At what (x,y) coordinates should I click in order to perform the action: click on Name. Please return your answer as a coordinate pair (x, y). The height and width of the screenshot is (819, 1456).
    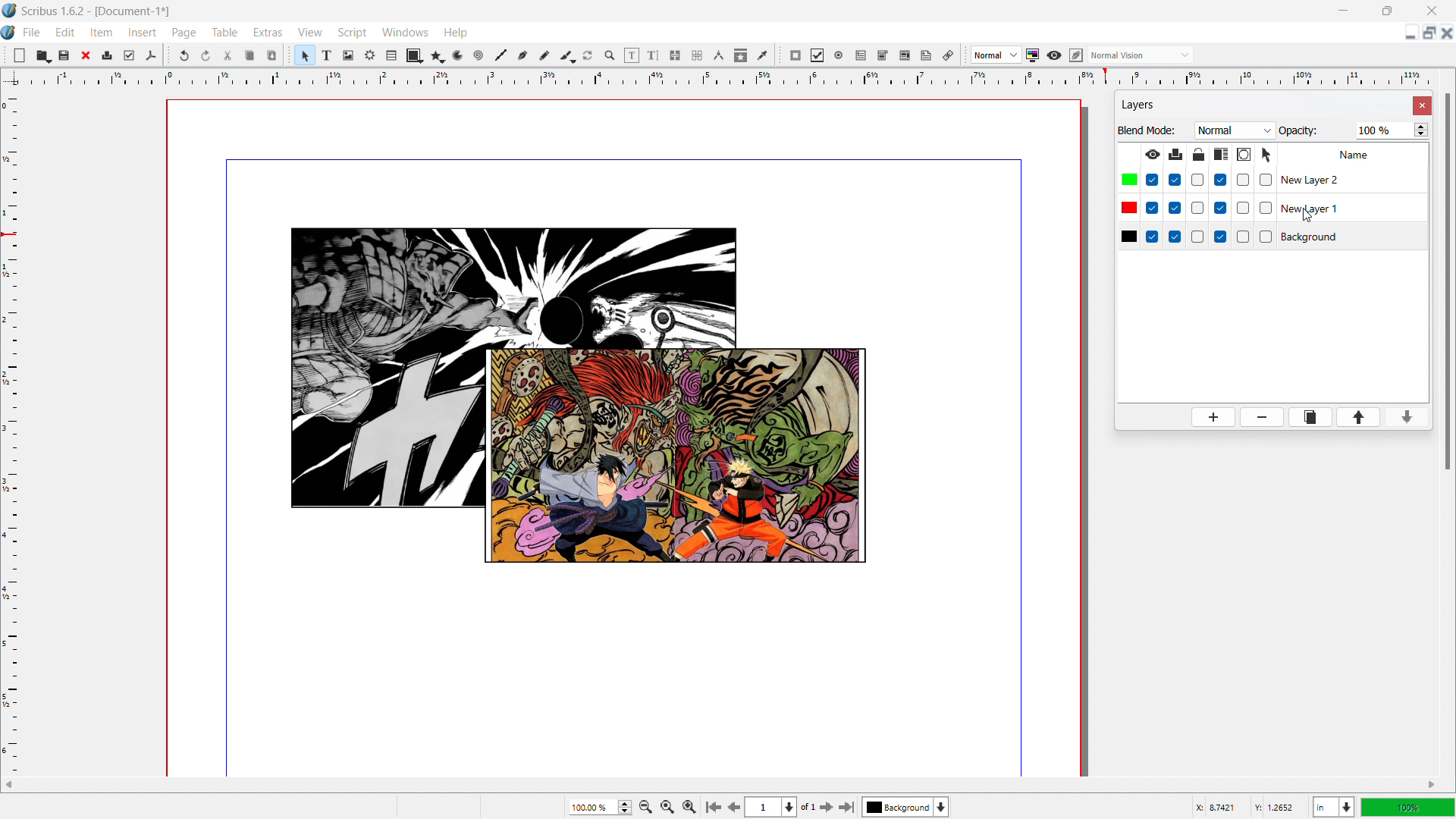
    Looking at the image, I should click on (1355, 155).